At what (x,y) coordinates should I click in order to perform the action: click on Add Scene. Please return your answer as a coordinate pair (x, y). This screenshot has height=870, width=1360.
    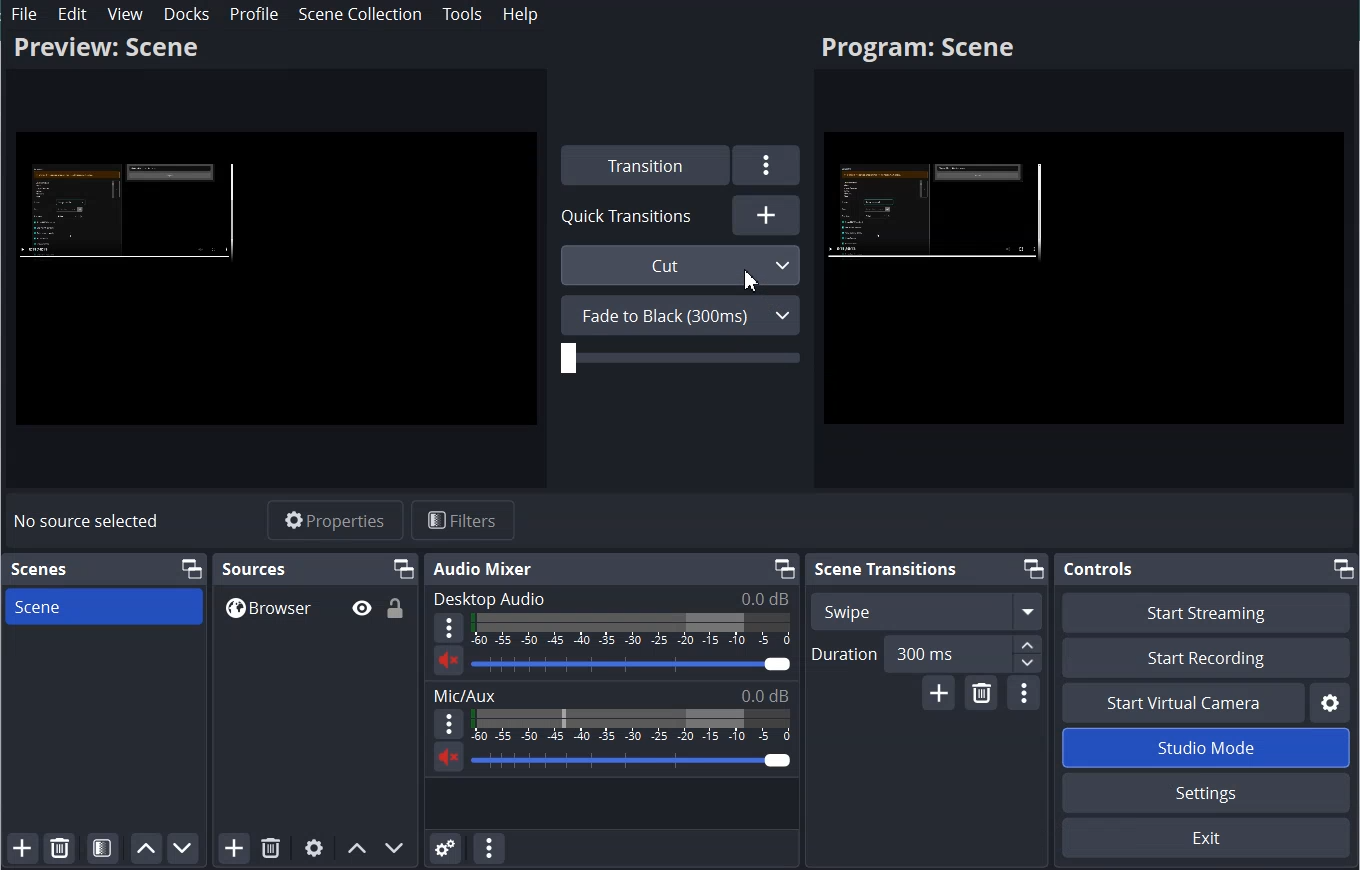
    Looking at the image, I should click on (22, 848).